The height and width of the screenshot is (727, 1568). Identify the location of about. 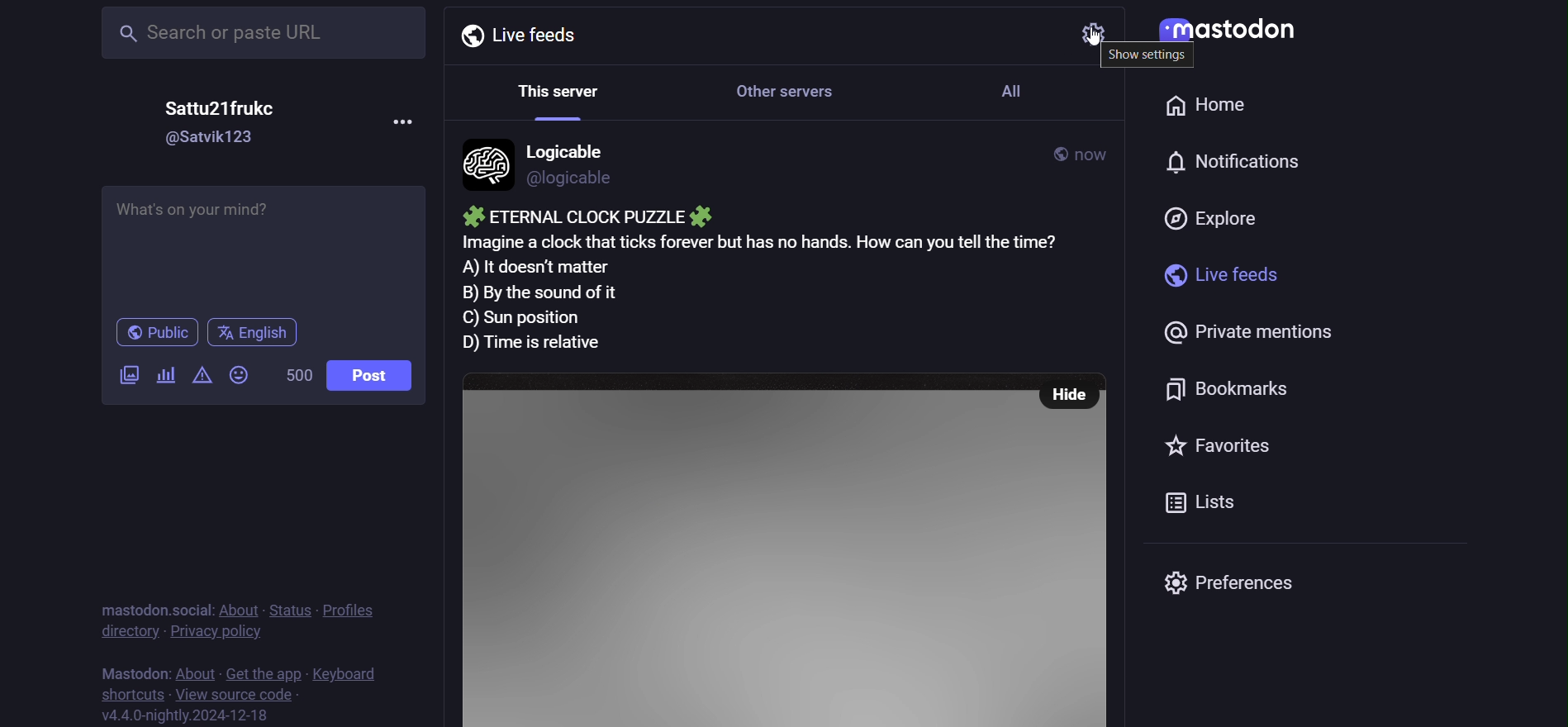
(239, 611).